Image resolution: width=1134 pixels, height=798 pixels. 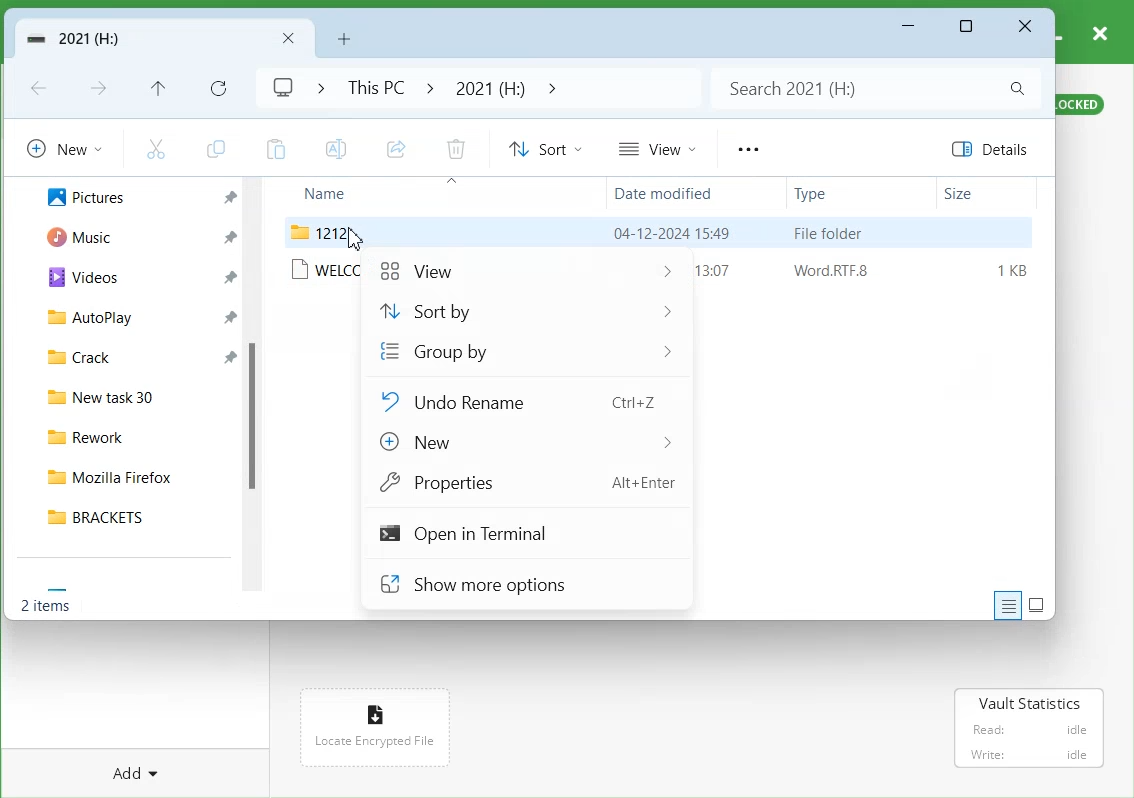 I want to click on Drop down box, so click(x=549, y=87).